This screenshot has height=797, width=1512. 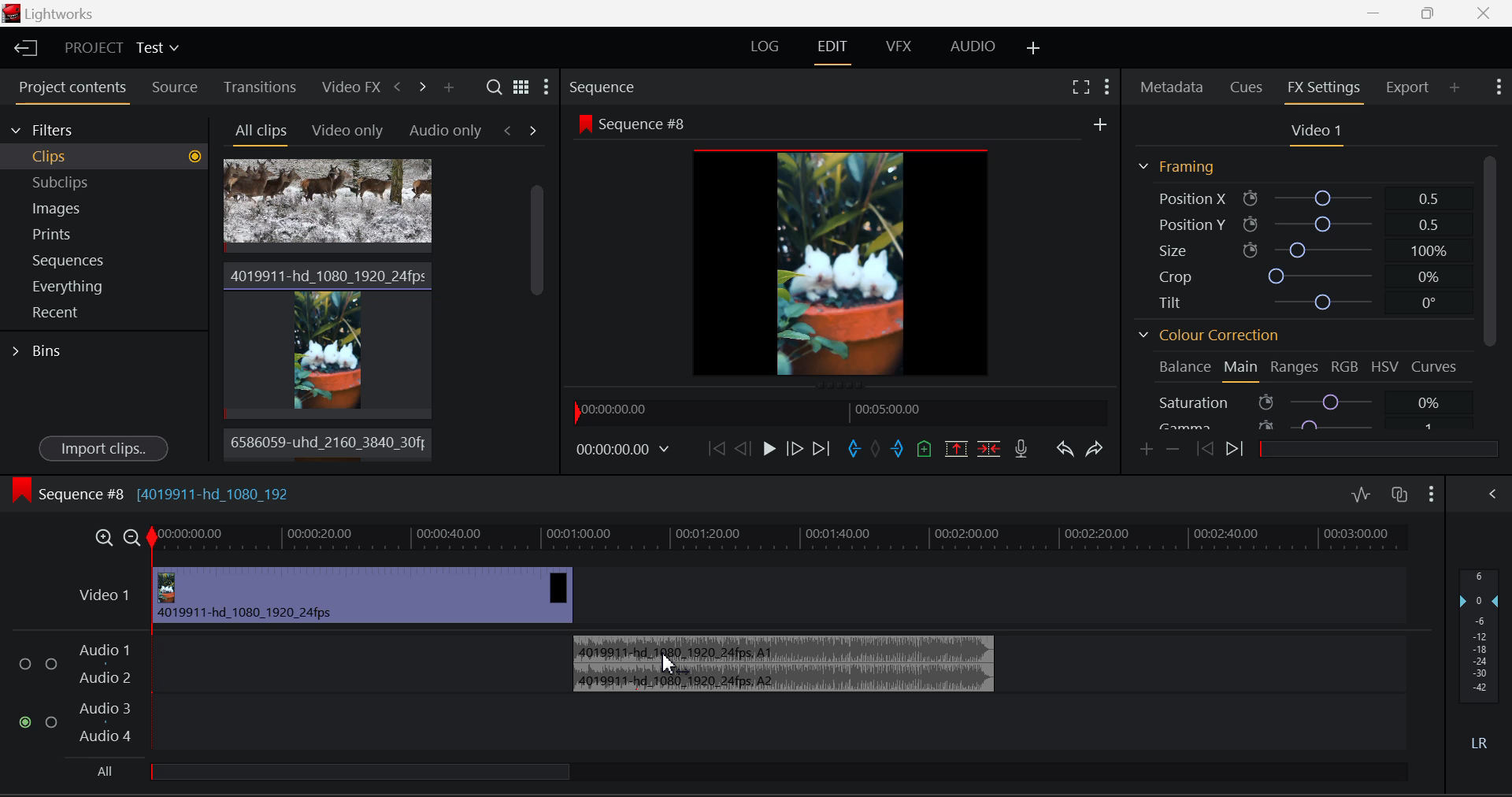 What do you see at coordinates (925, 449) in the screenshot?
I see `Mark Cue` at bounding box center [925, 449].